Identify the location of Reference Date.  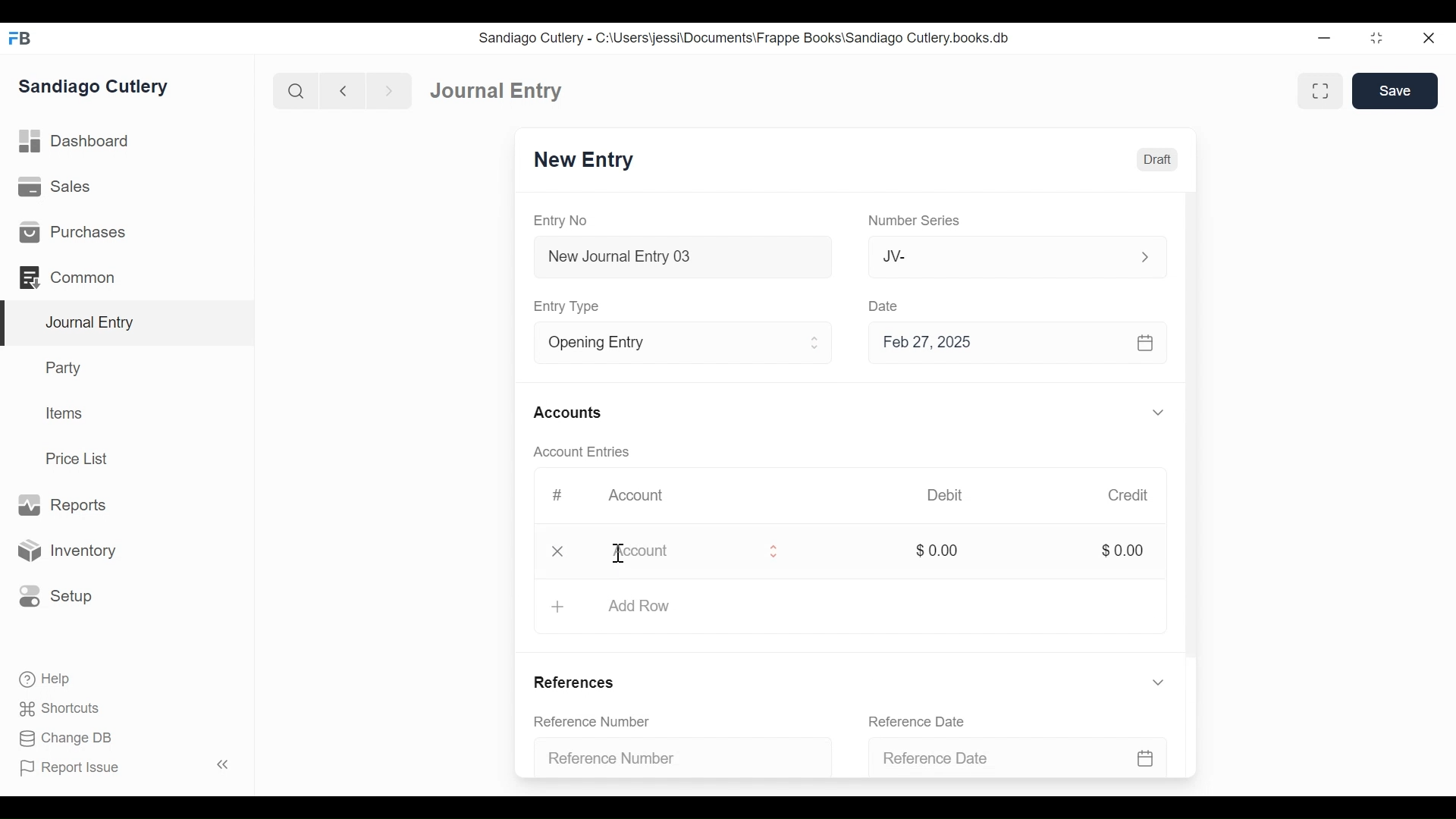
(921, 720).